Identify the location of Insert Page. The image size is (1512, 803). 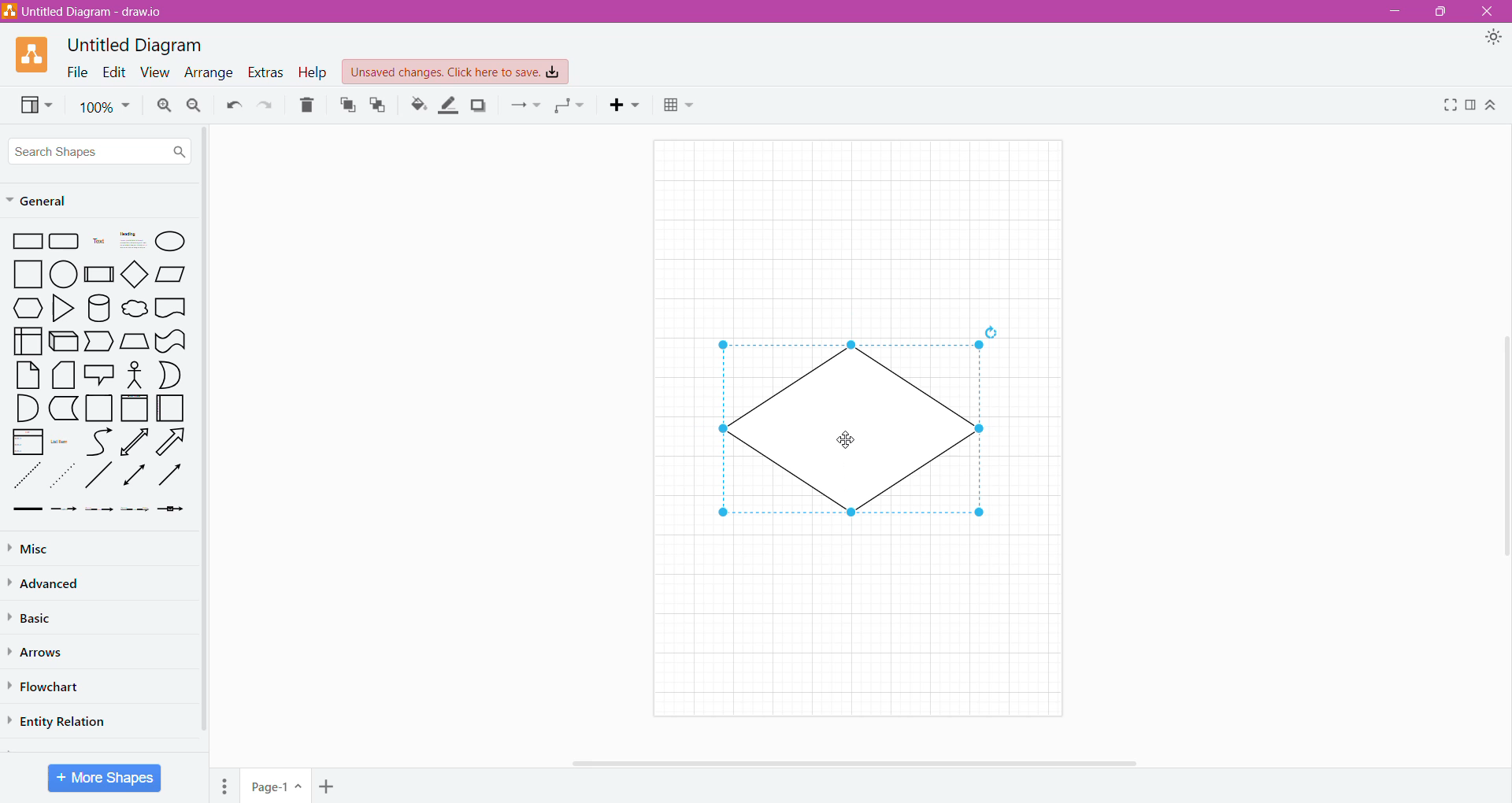
(328, 785).